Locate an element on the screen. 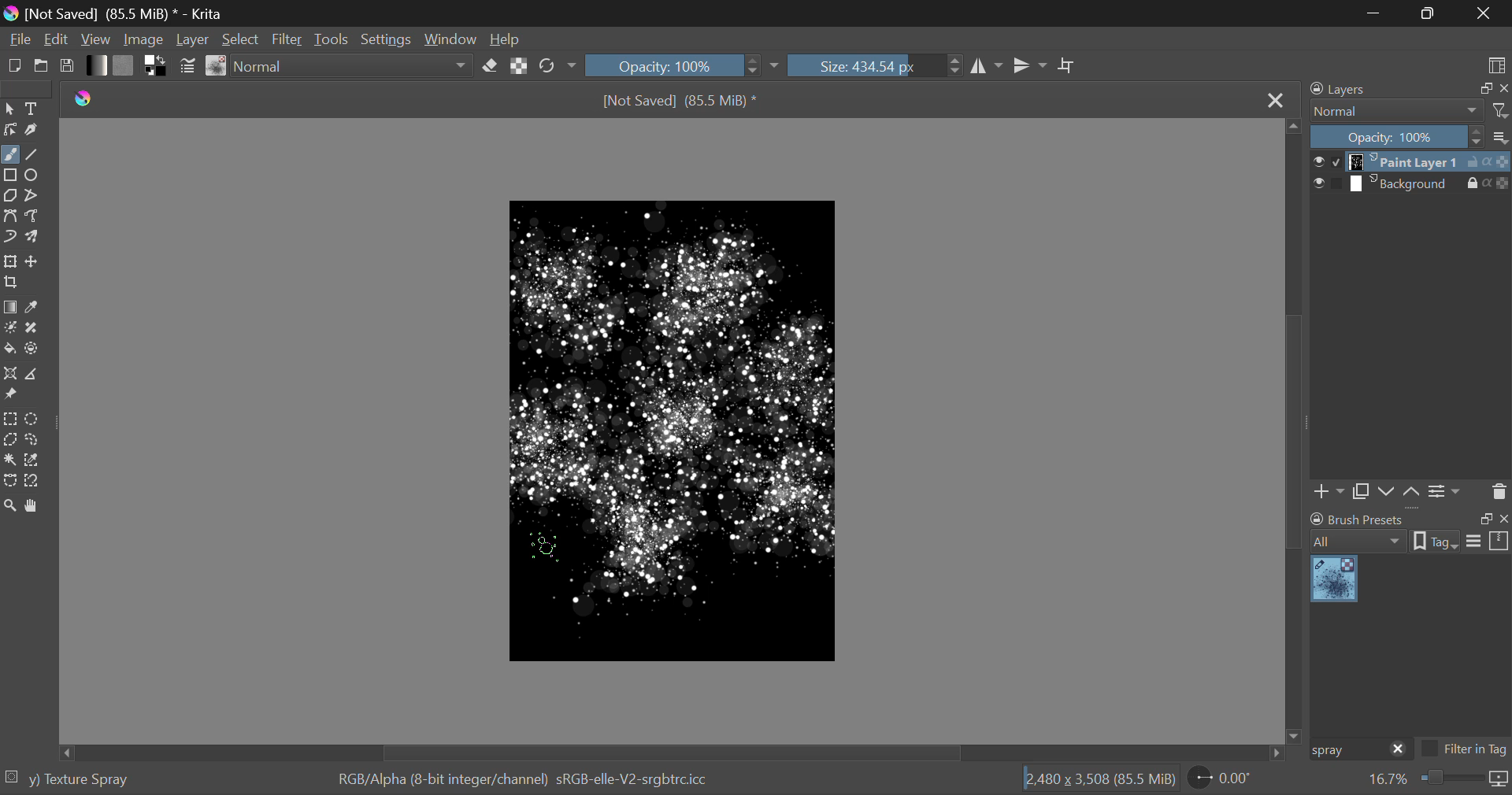 The height and width of the screenshot is (795, 1512). Add Layer is located at coordinates (1329, 494).